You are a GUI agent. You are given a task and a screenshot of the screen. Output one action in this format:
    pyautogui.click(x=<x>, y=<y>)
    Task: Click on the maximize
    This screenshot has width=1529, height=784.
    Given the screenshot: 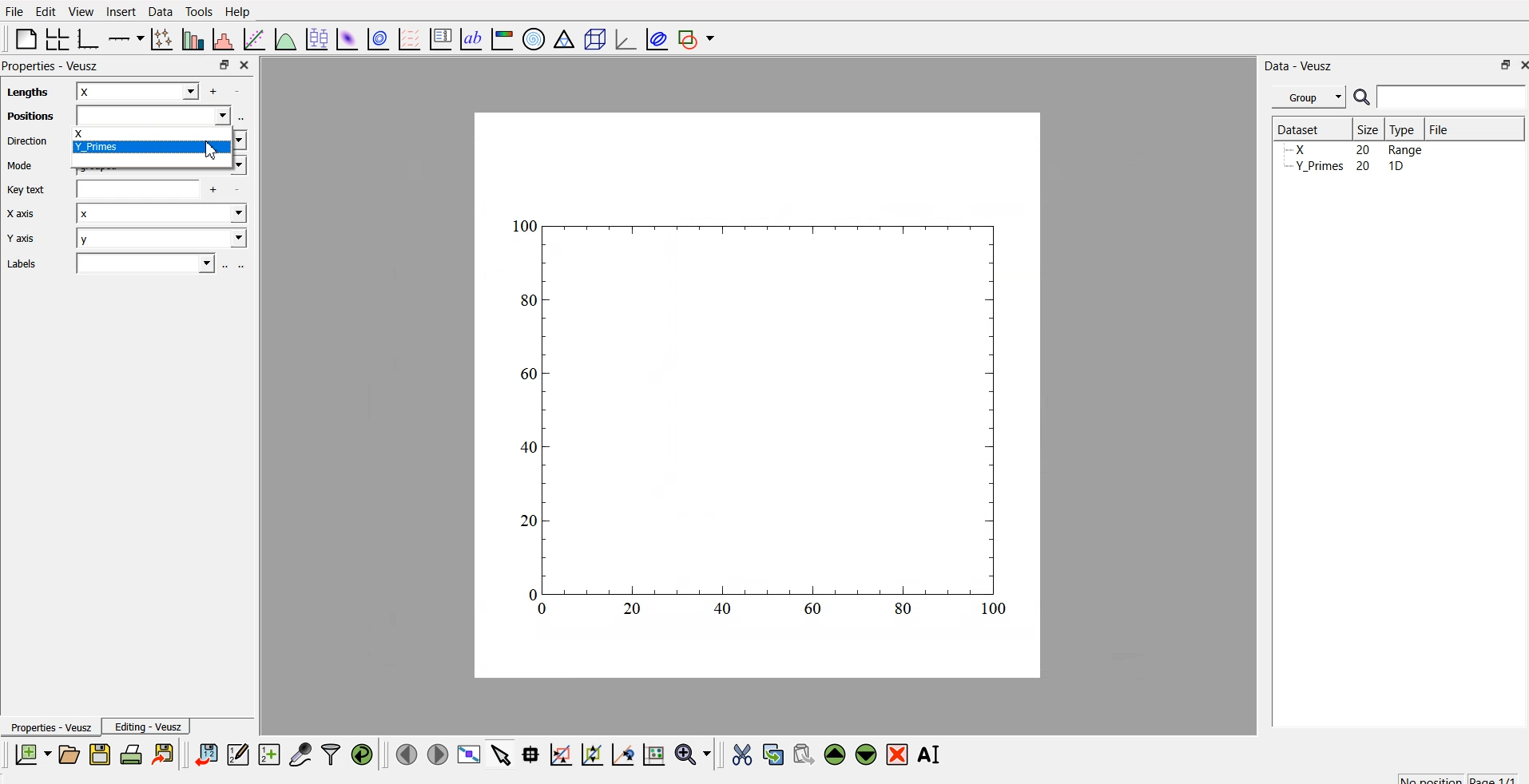 What is the action you would take?
    pyautogui.click(x=220, y=65)
    